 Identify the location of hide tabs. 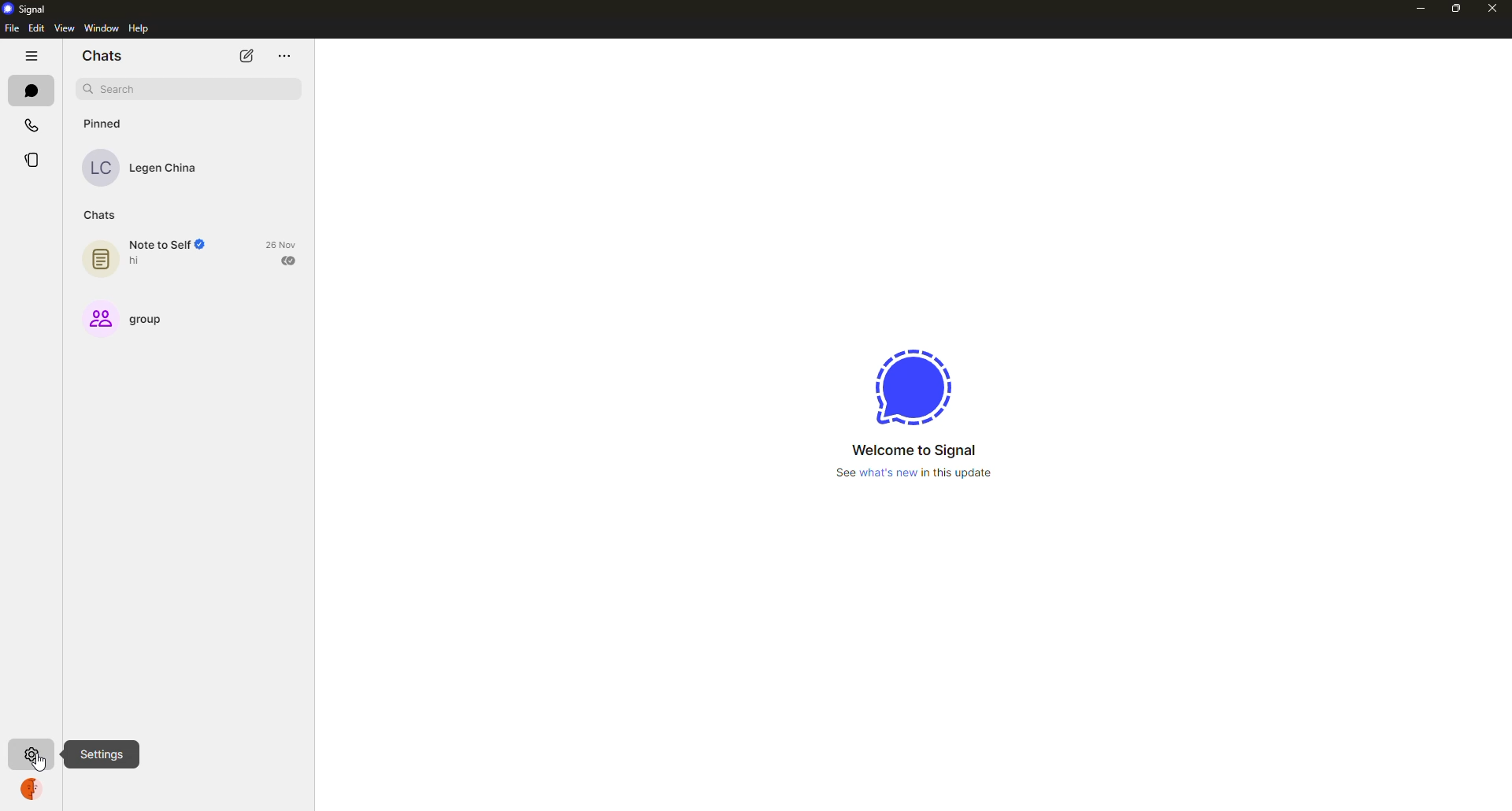
(30, 54).